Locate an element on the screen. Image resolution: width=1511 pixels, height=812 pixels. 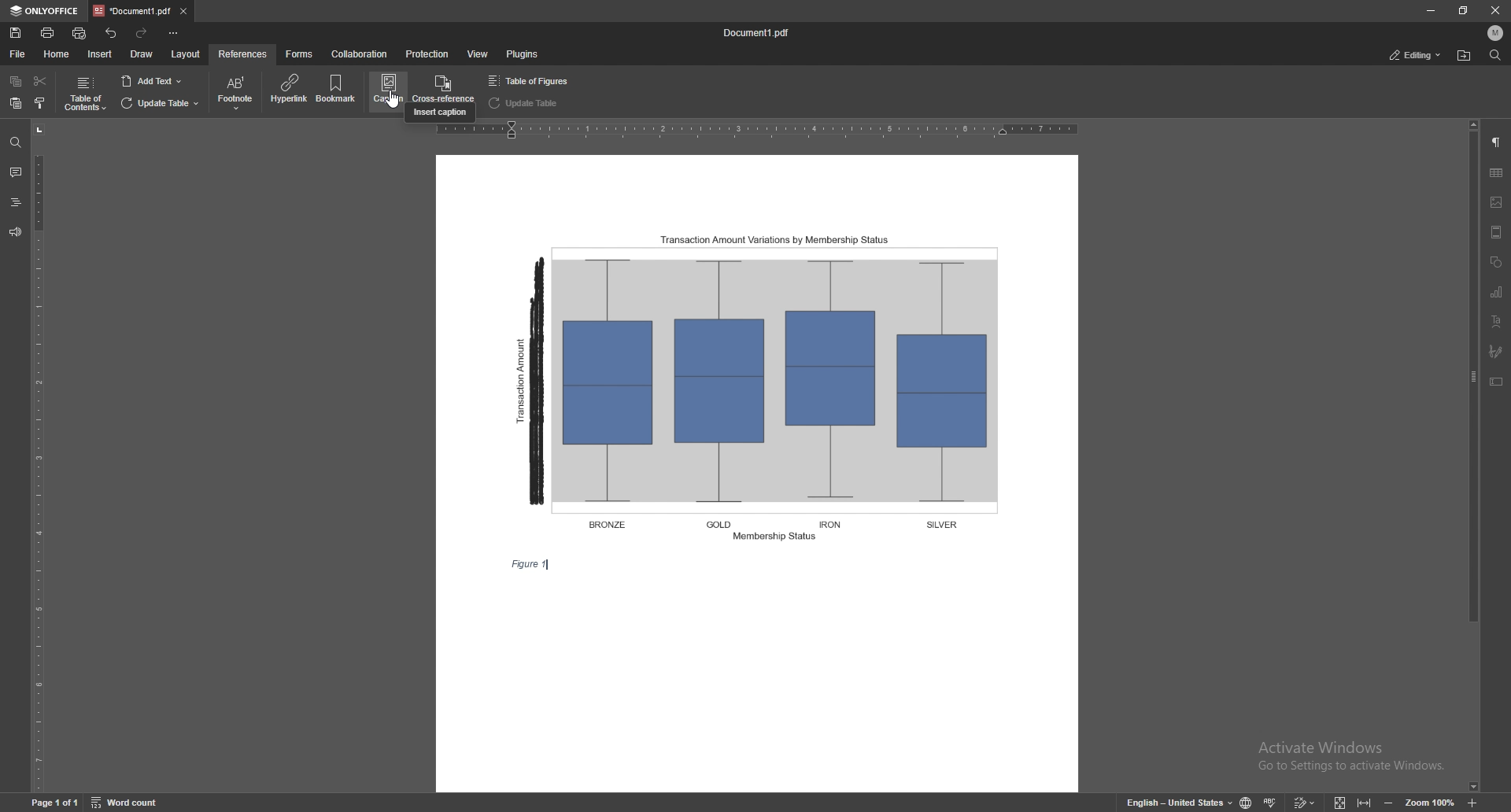
shapes is located at coordinates (1495, 261).